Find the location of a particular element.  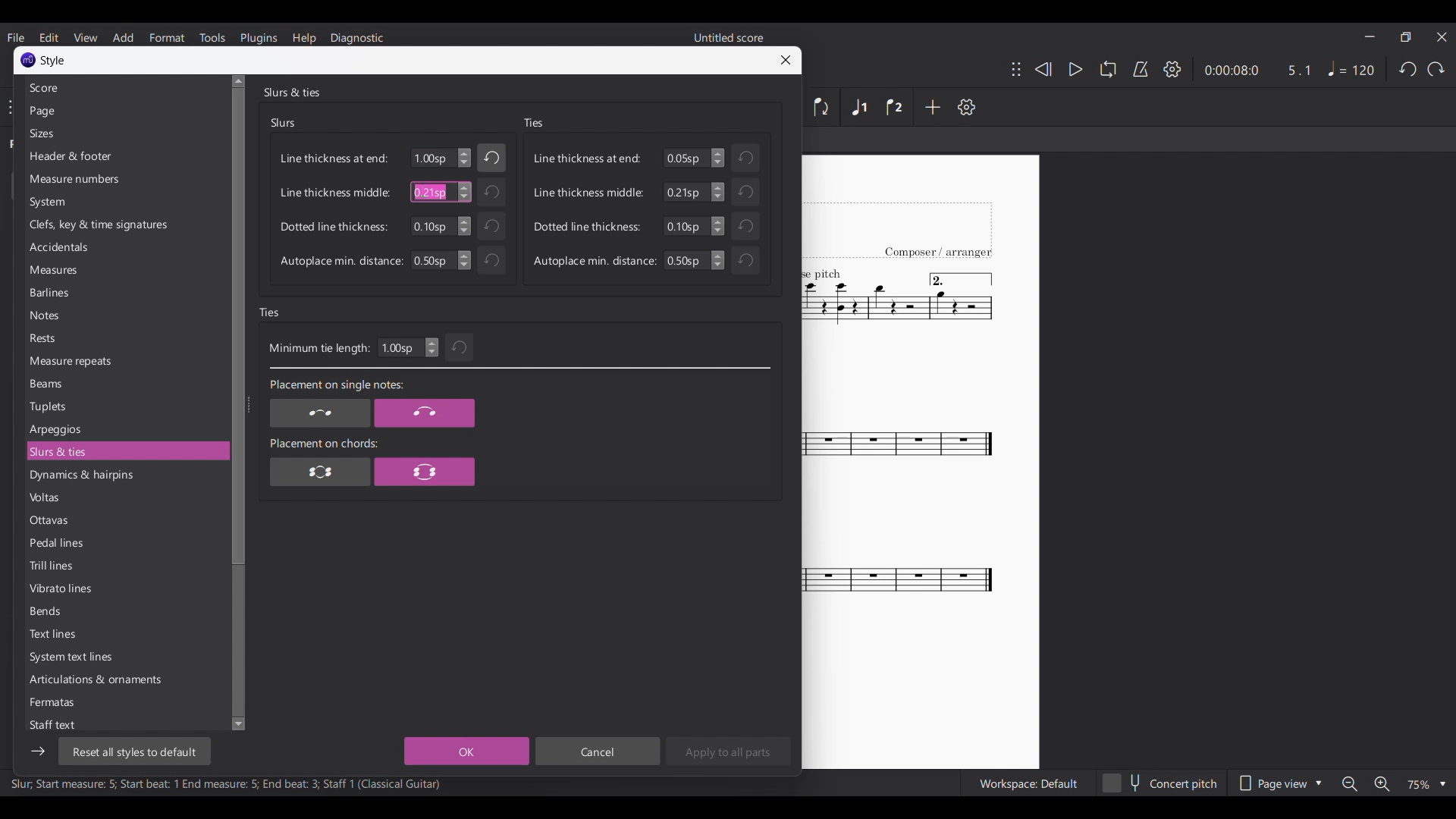

Increase/Decrease dotted line thickness is located at coordinates (464, 226).